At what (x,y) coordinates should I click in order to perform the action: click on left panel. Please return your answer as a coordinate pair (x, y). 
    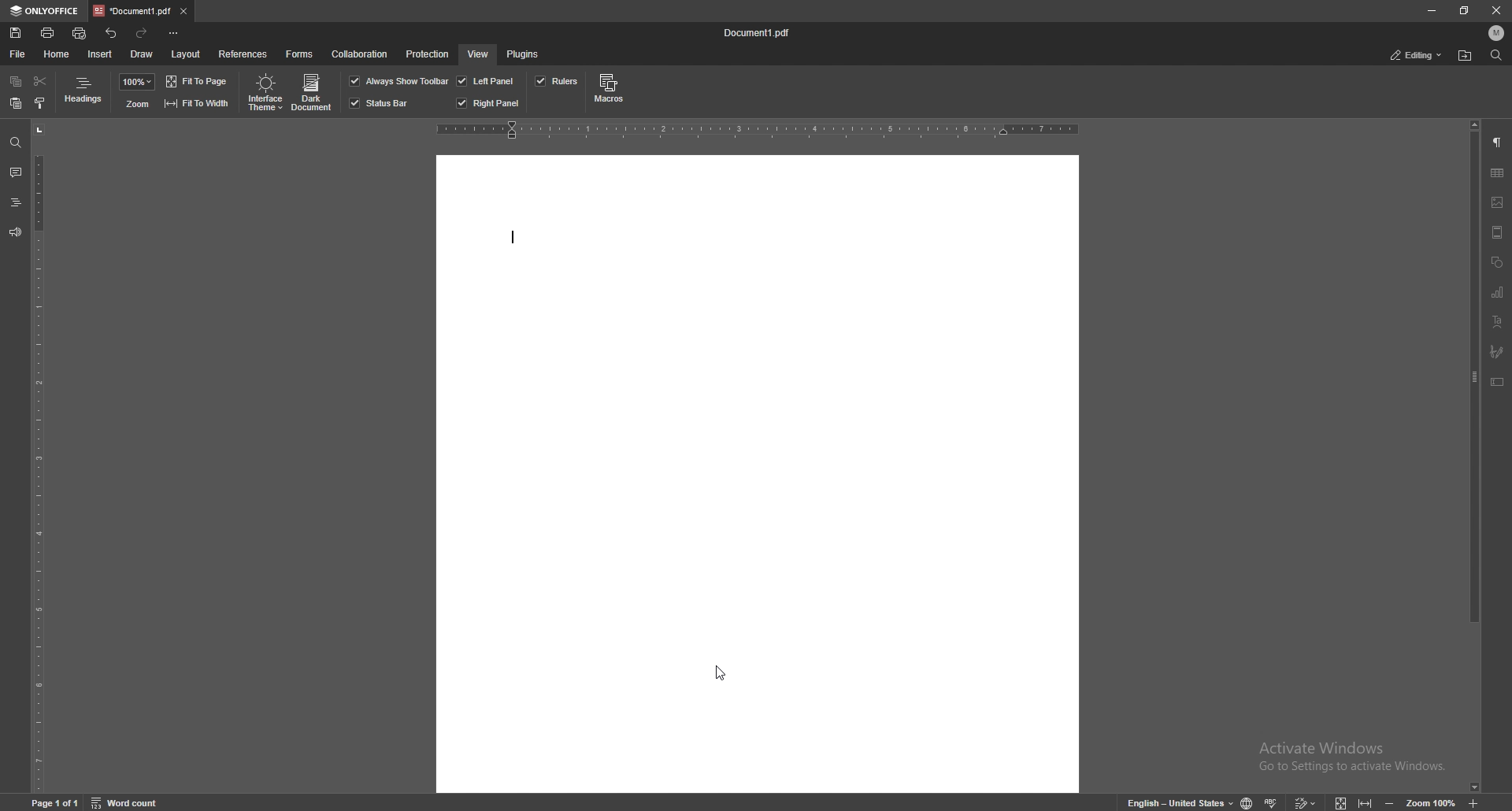
    Looking at the image, I should click on (486, 80).